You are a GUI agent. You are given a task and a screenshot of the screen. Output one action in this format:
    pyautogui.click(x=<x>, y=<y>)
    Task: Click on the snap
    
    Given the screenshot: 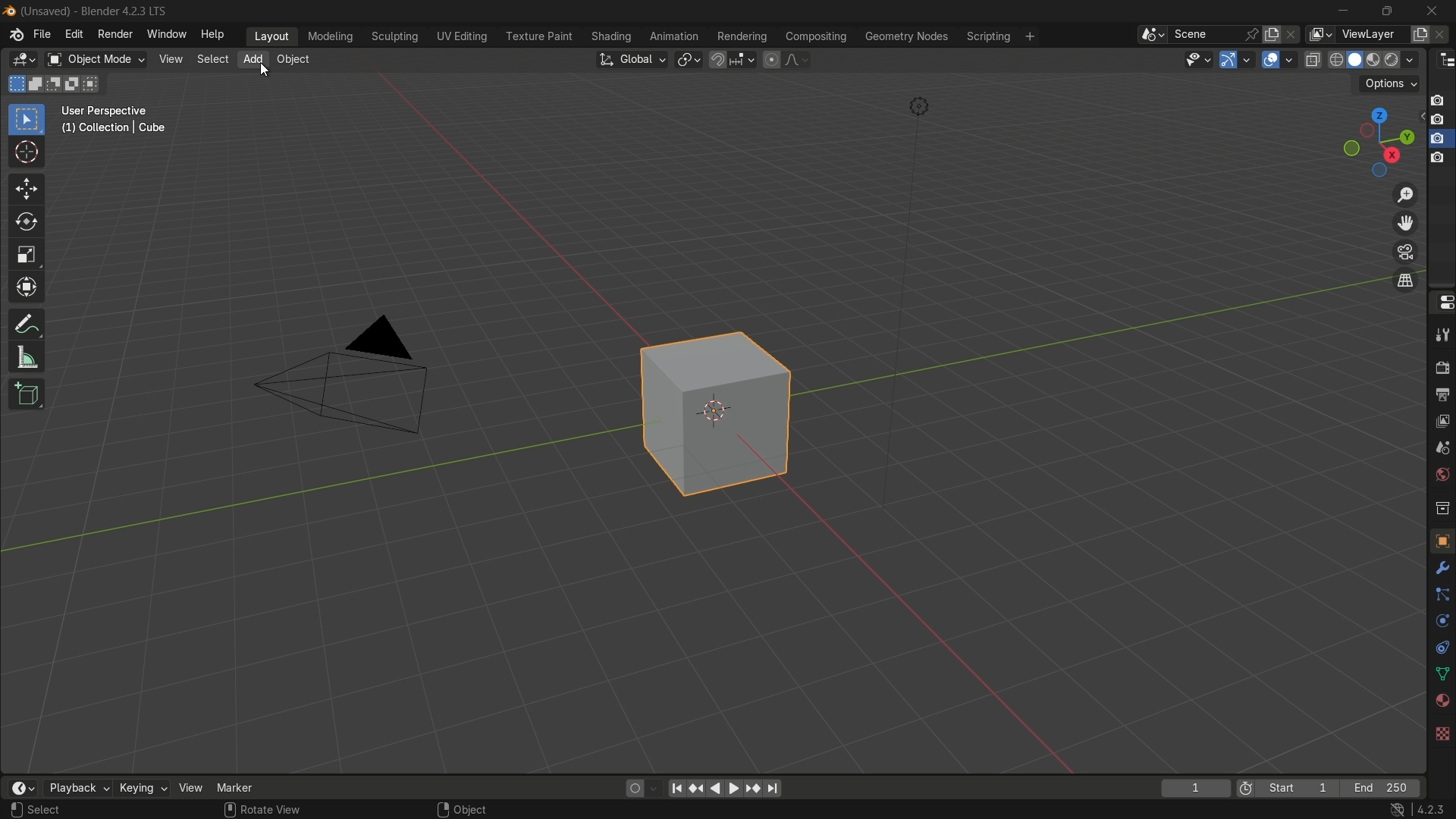 What is the action you would take?
    pyautogui.click(x=731, y=59)
    